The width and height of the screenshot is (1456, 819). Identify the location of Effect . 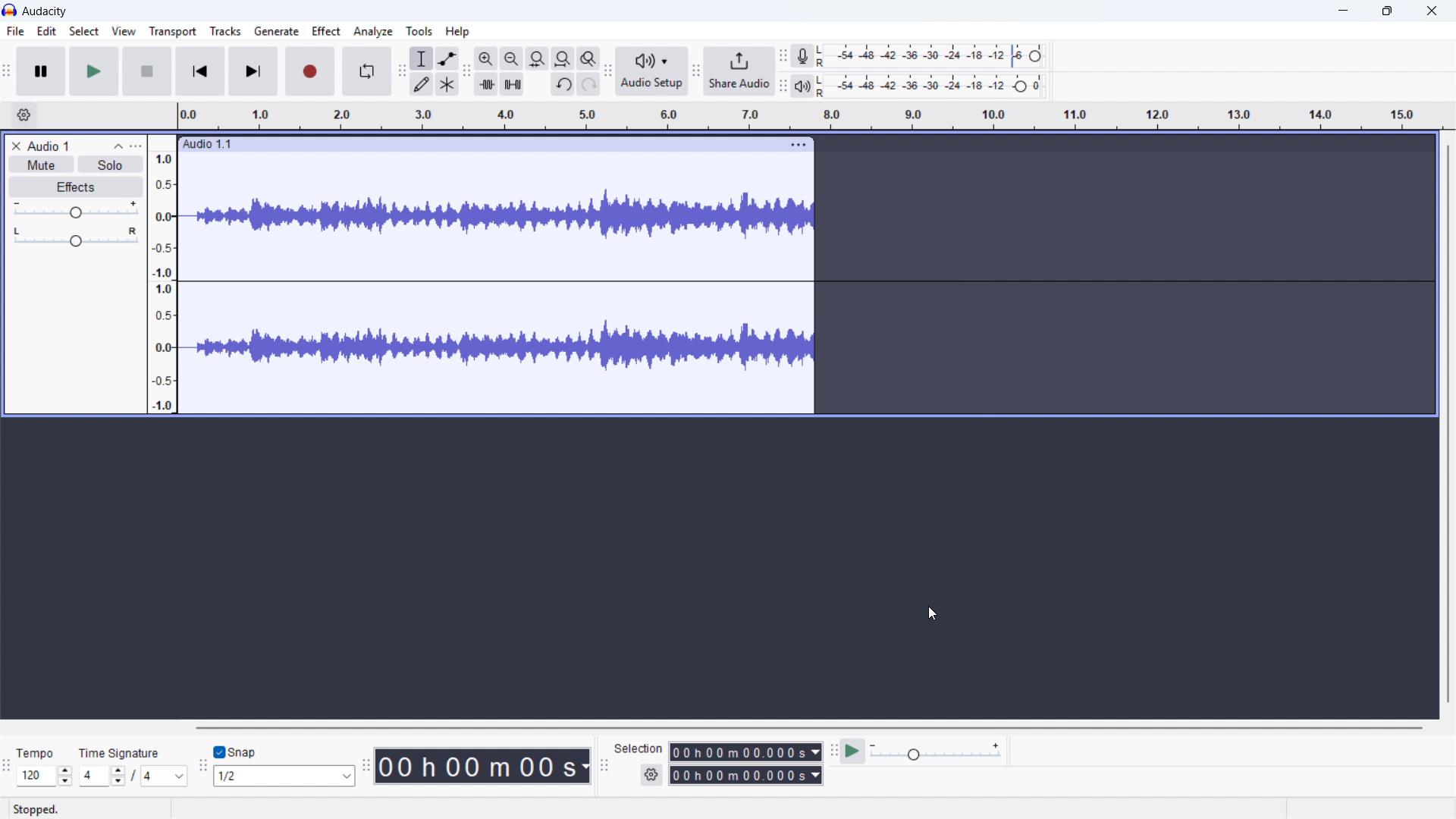
(325, 30).